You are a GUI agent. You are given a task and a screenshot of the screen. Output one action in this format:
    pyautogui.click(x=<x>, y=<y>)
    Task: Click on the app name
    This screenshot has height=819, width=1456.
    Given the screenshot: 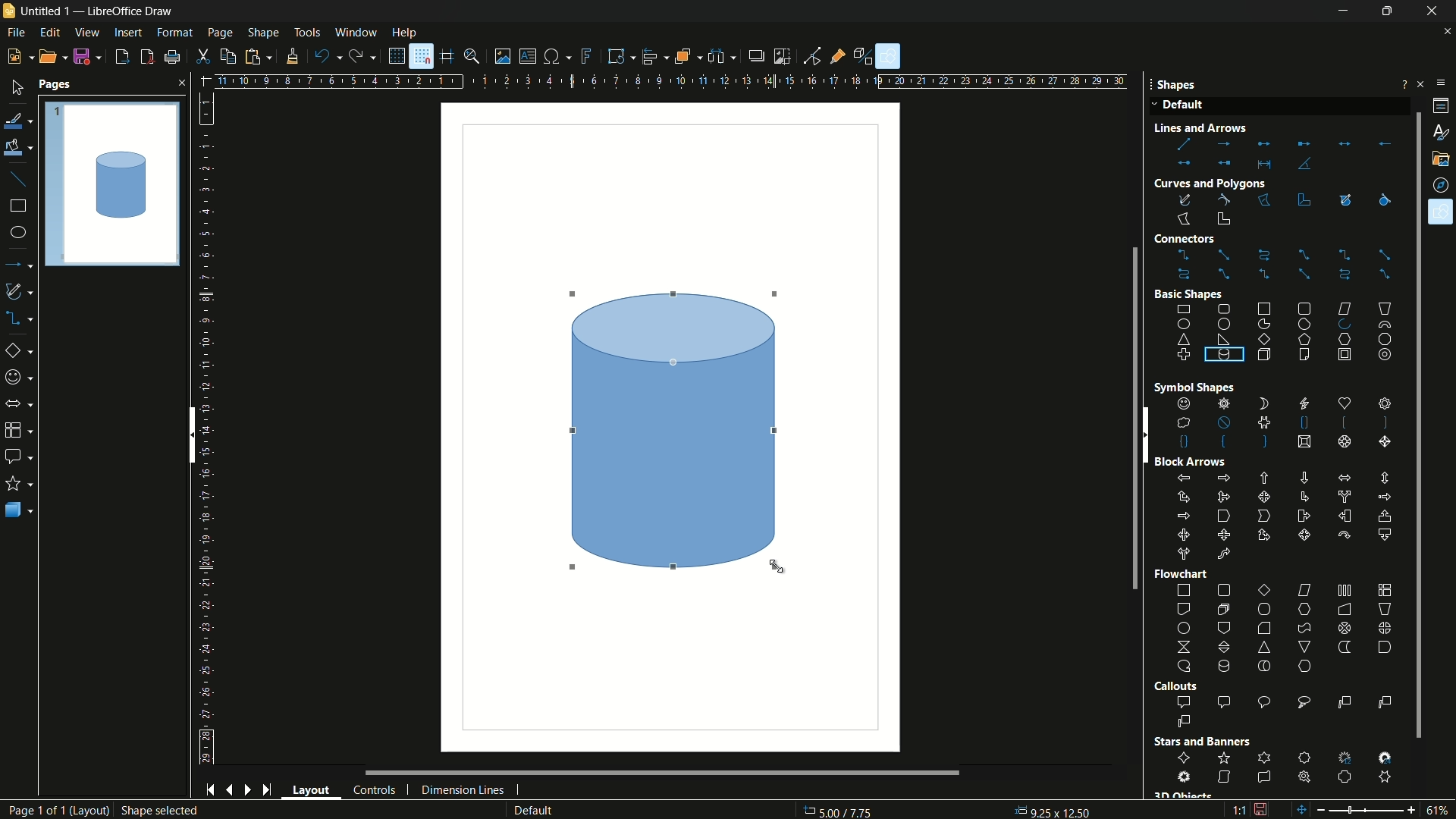 What is the action you would take?
    pyautogui.click(x=129, y=11)
    